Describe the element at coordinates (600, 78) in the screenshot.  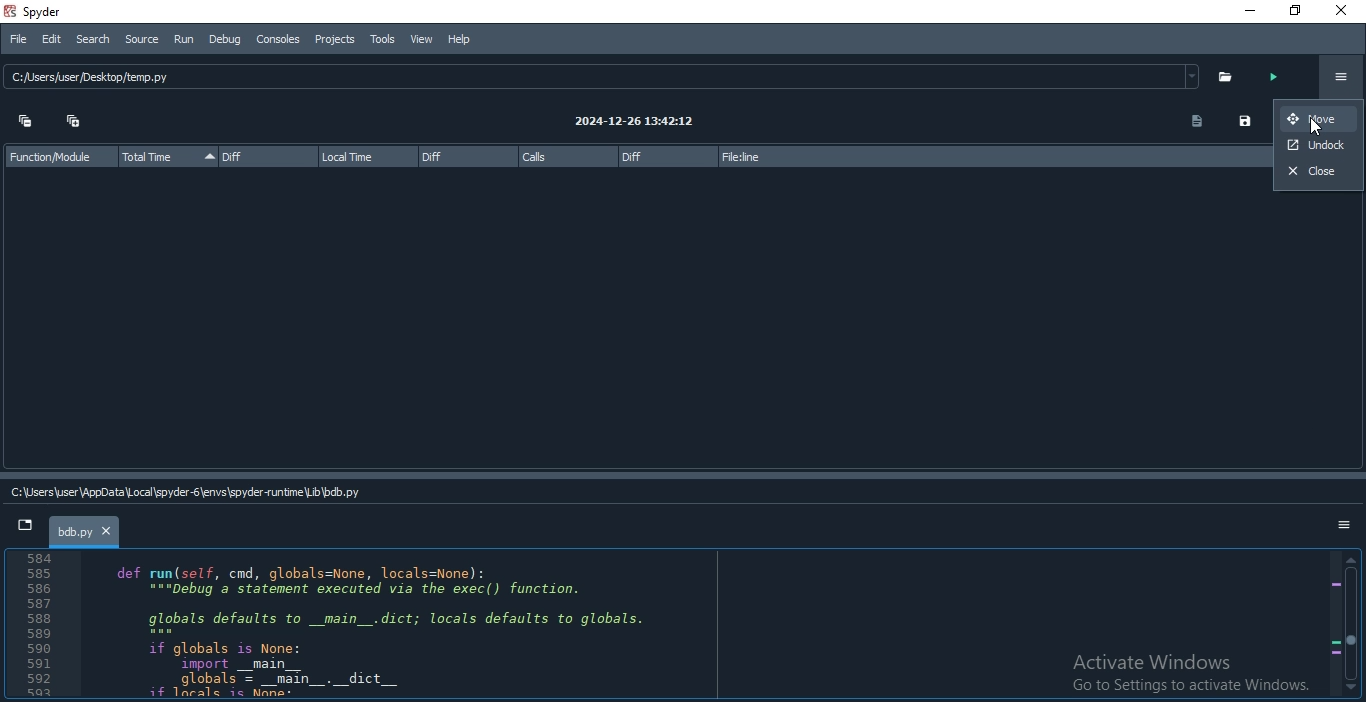
I see `file history` at that location.